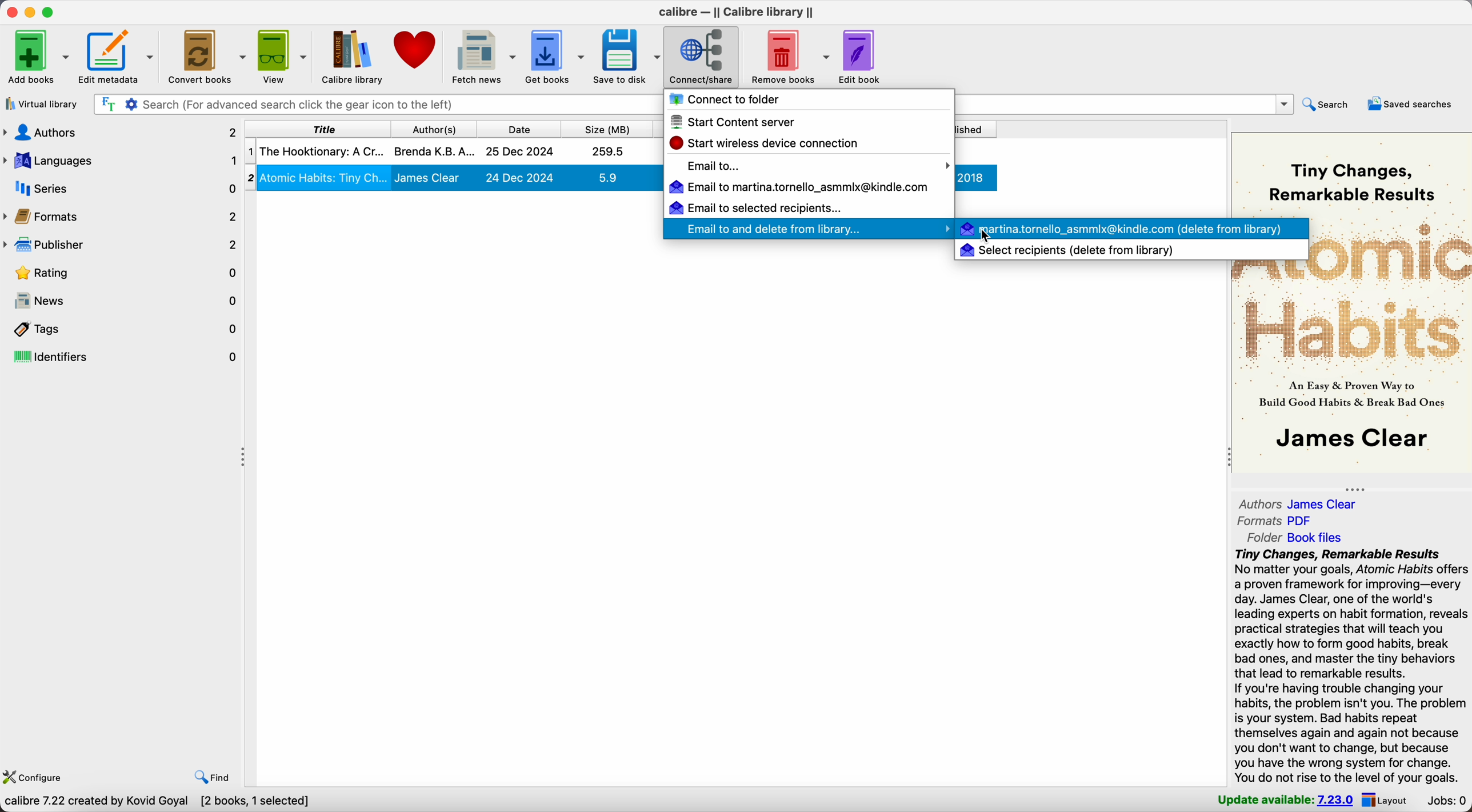 The height and width of the screenshot is (812, 1472). Describe the element at coordinates (1411, 105) in the screenshot. I see `saved searches` at that location.